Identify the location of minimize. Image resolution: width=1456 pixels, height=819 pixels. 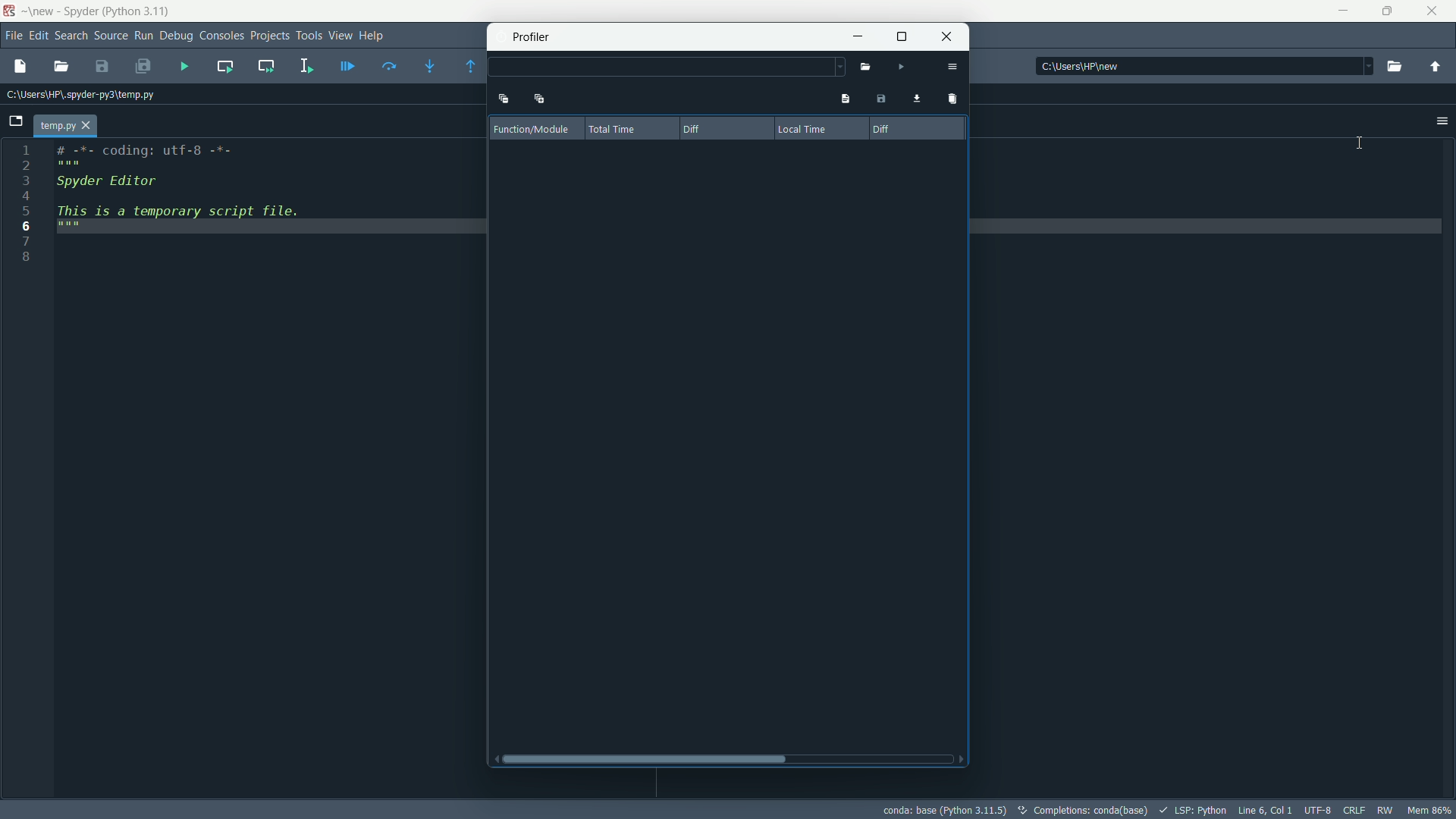
(1344, 11).